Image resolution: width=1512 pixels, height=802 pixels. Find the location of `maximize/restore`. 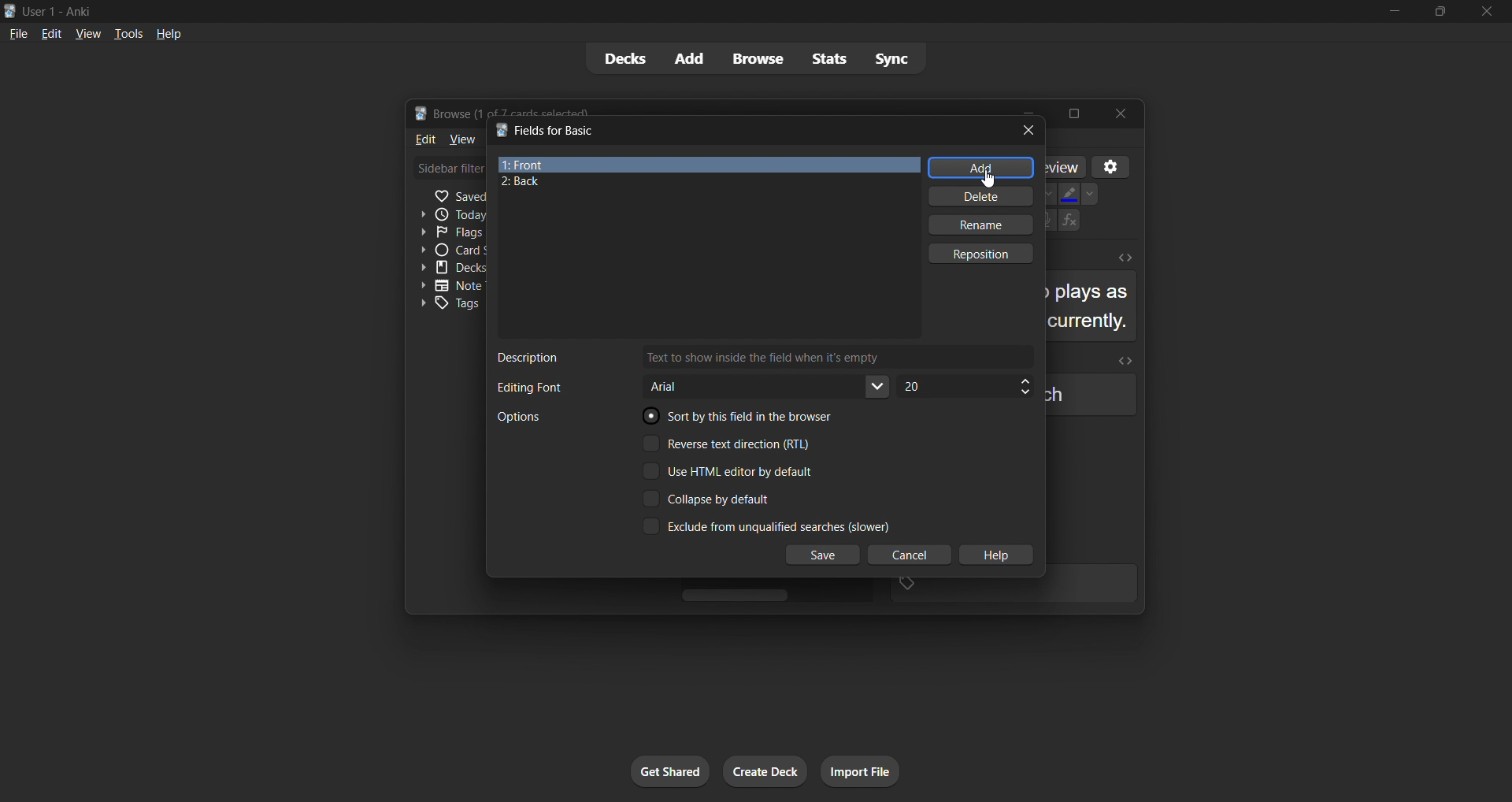

maximize/restore is located at coordinates (1438, 13).